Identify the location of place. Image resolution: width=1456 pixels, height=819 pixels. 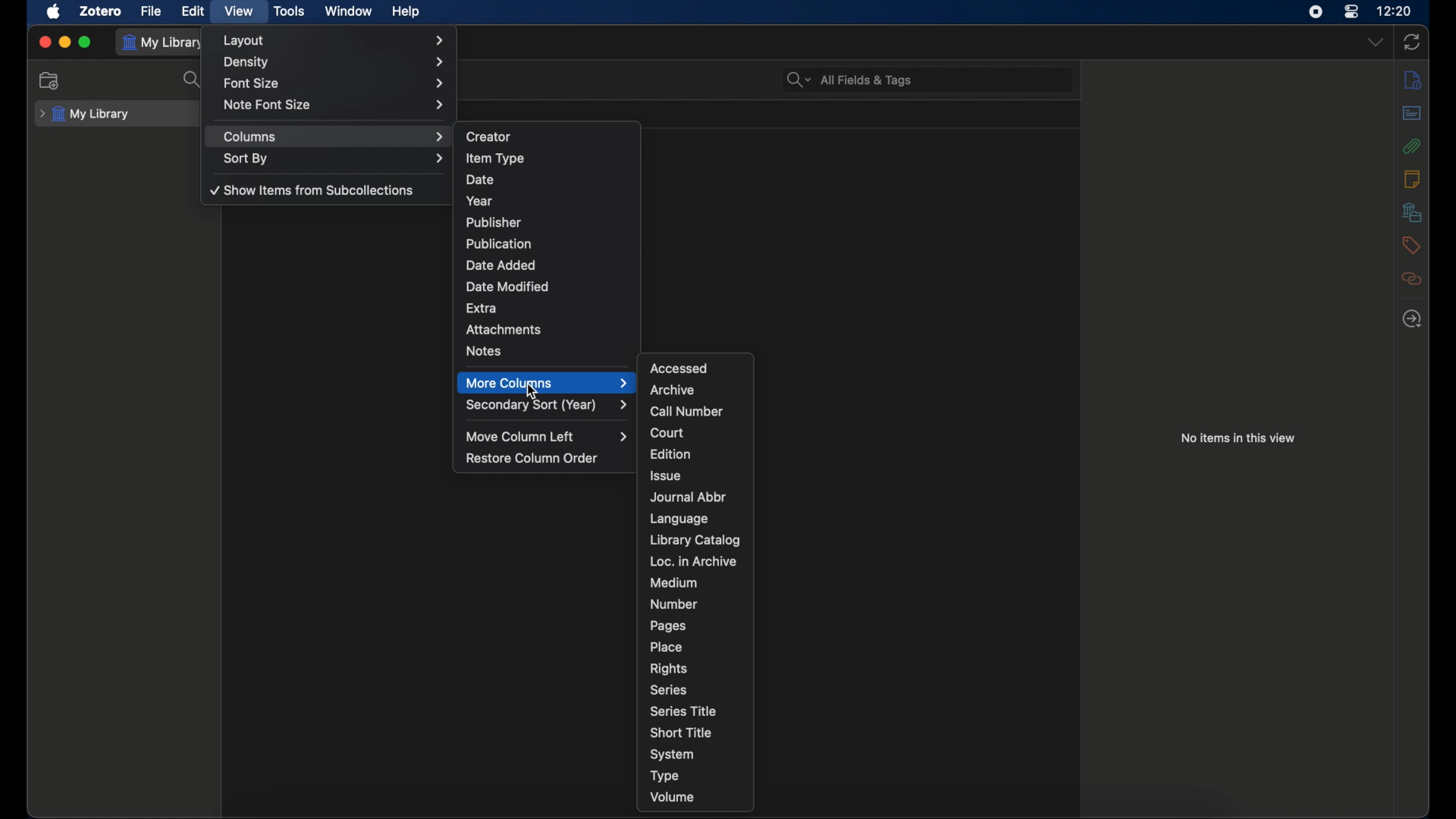
(666, 647).